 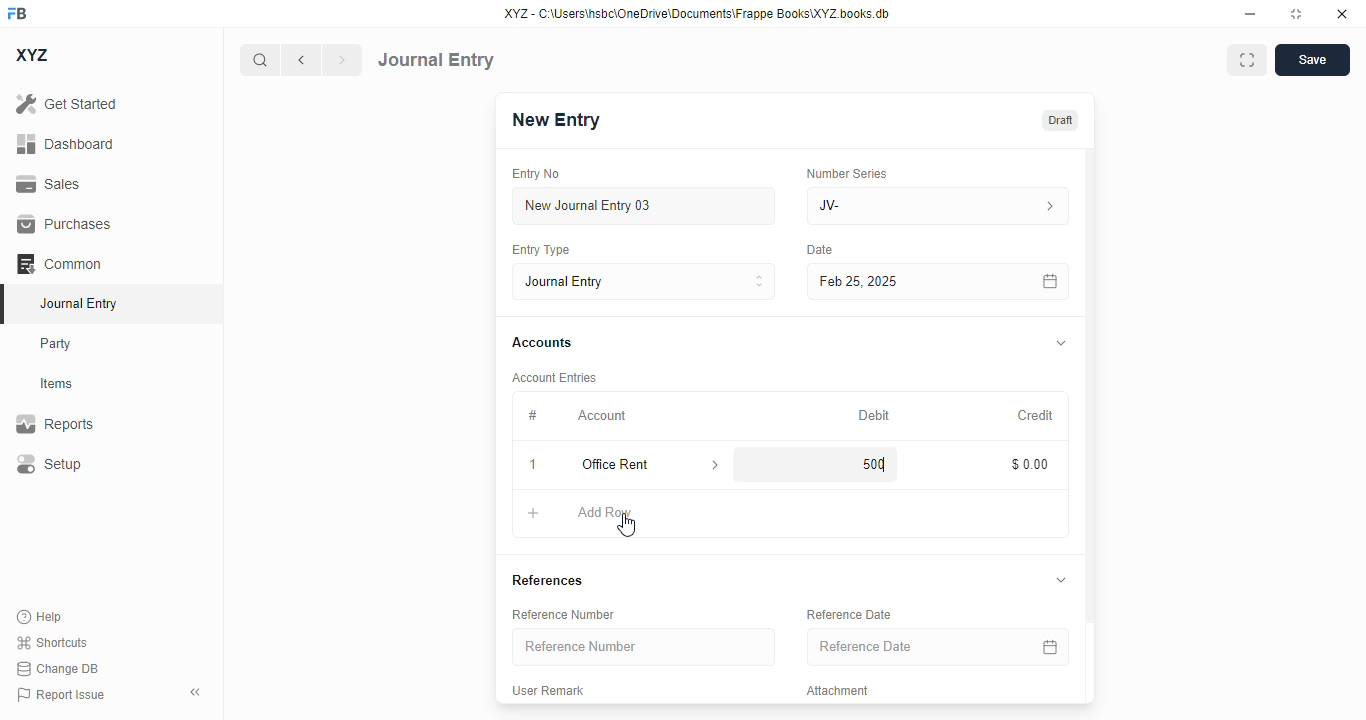 I want to click on party, so click(x=56, y=344).